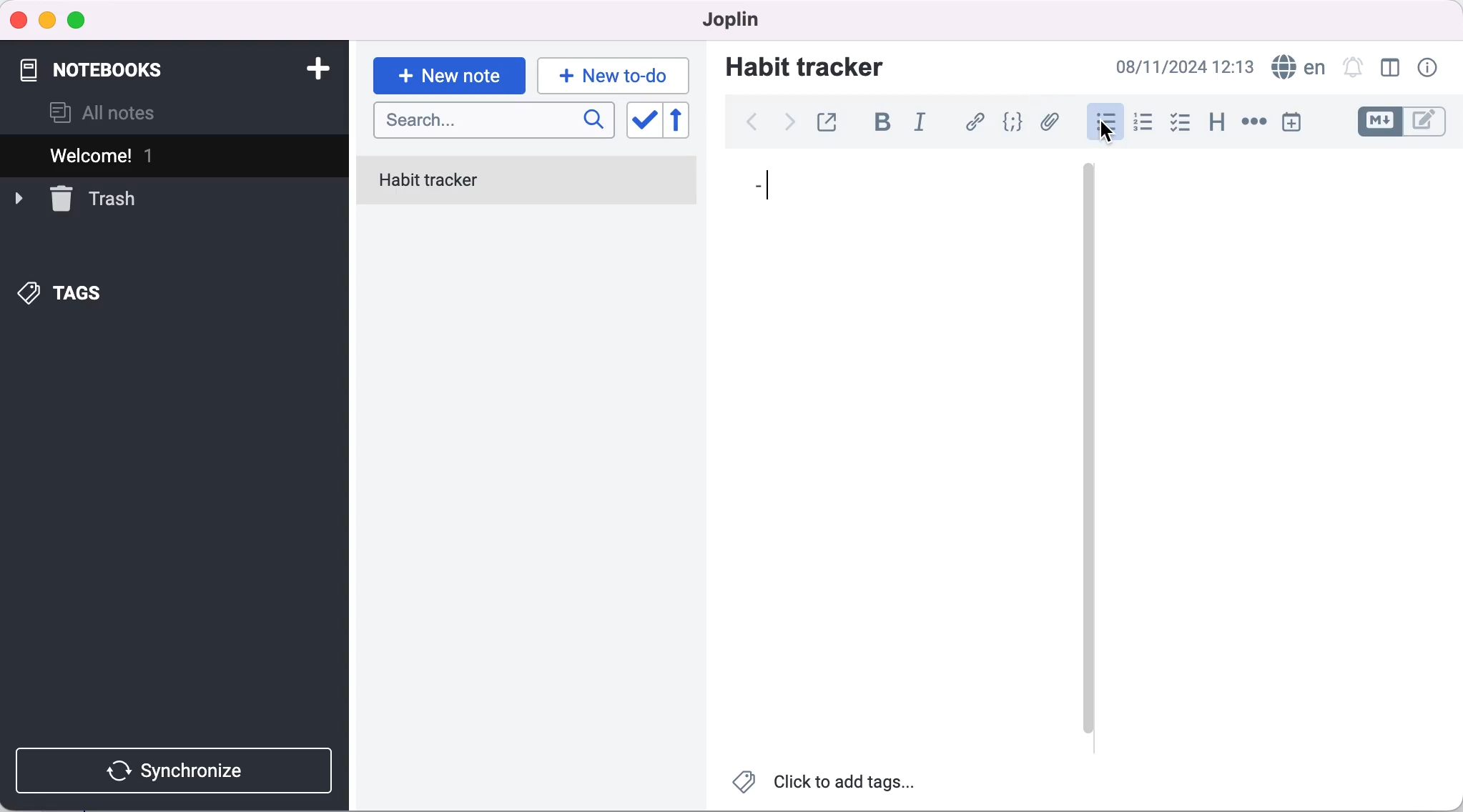 Image resolution: width=1463 pixels, height=812 pixels. Describe the element at coordinates (527, 182) in the screenshot. I see `habit tracker` at that location.